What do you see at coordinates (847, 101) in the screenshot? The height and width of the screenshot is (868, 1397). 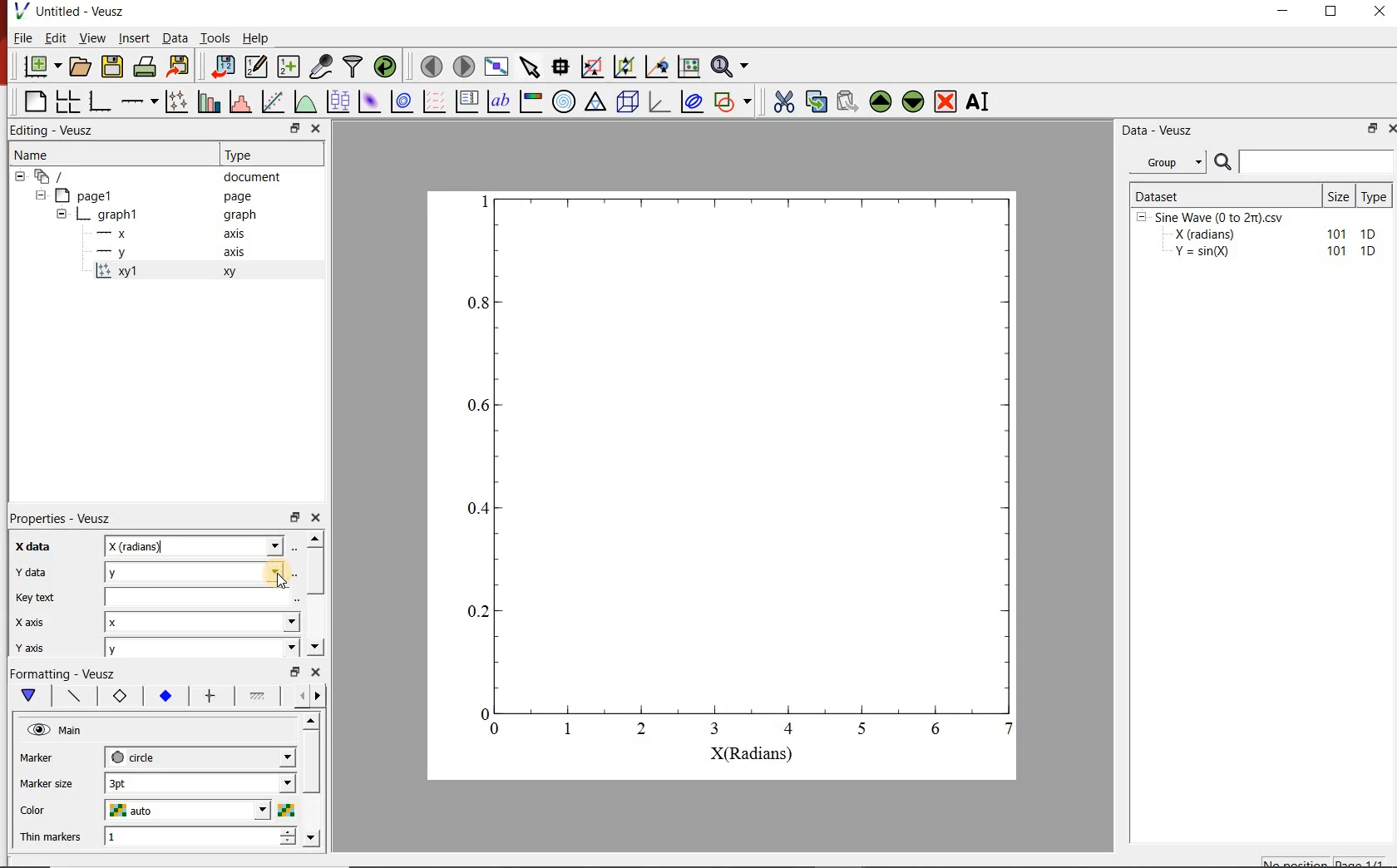 I see `paste` at bounding box center [847, 101].